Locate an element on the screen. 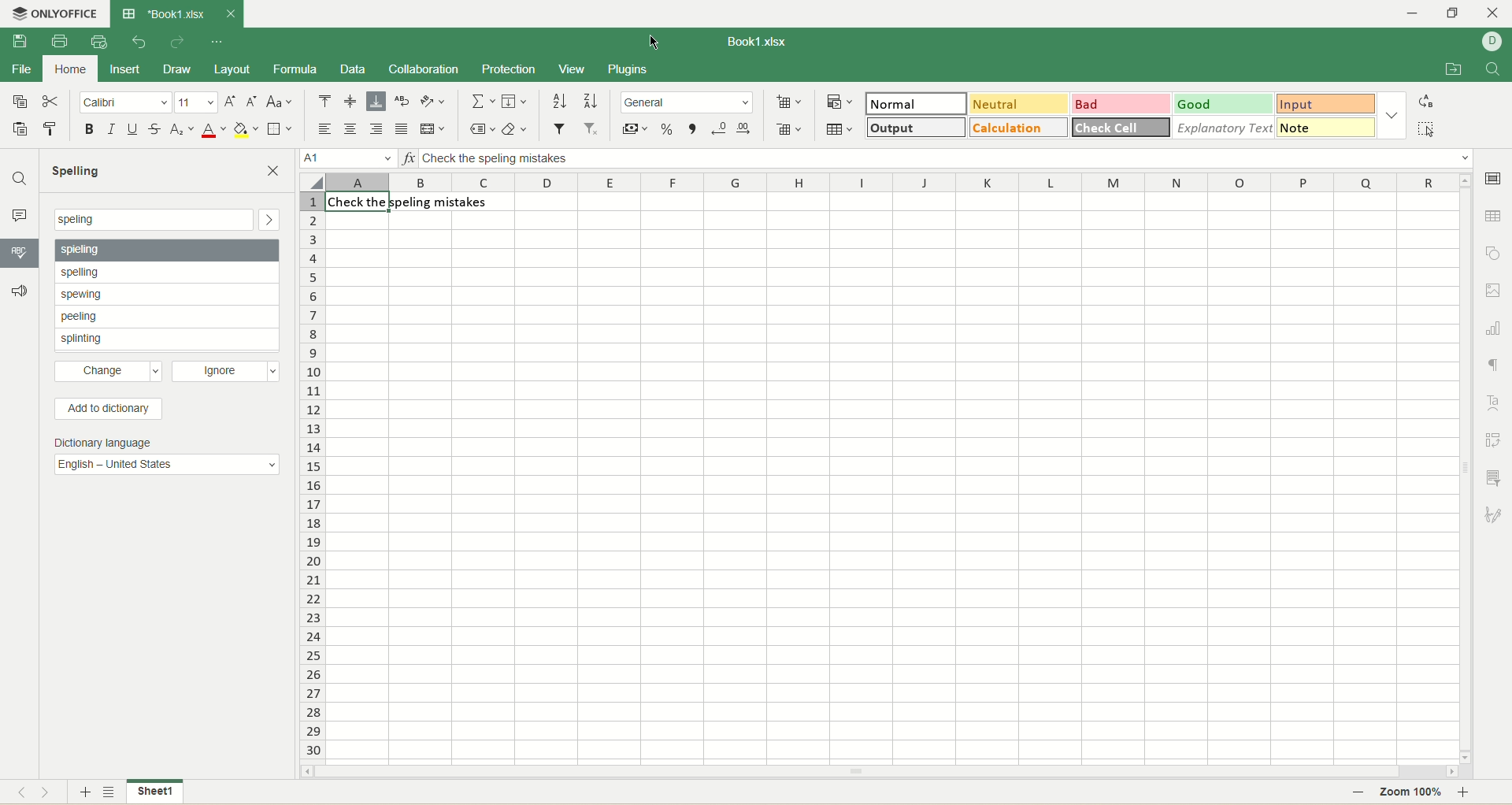 This screenshot has height=805, width=1512. image settings is located at coordinates (1495, 288).